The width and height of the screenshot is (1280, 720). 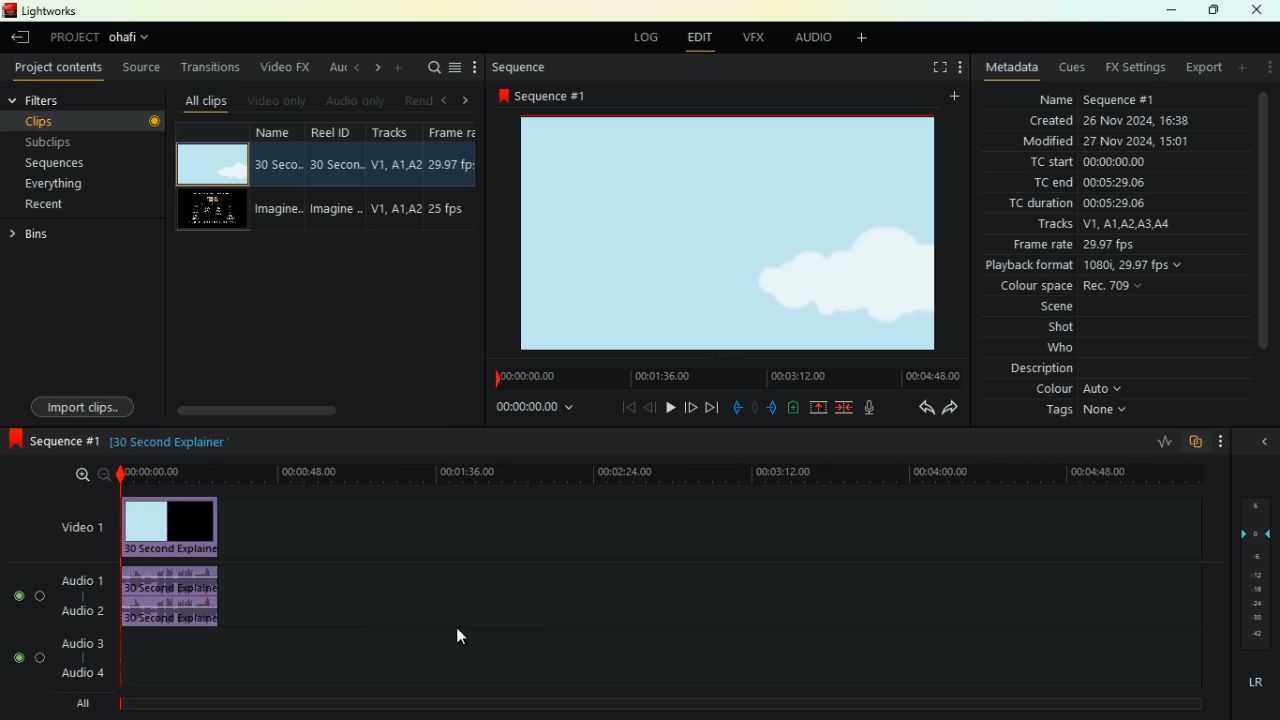 What do you see at coordinates (456, 69) in the screenshot?
I see `menu` at bounding box center [456, 69].